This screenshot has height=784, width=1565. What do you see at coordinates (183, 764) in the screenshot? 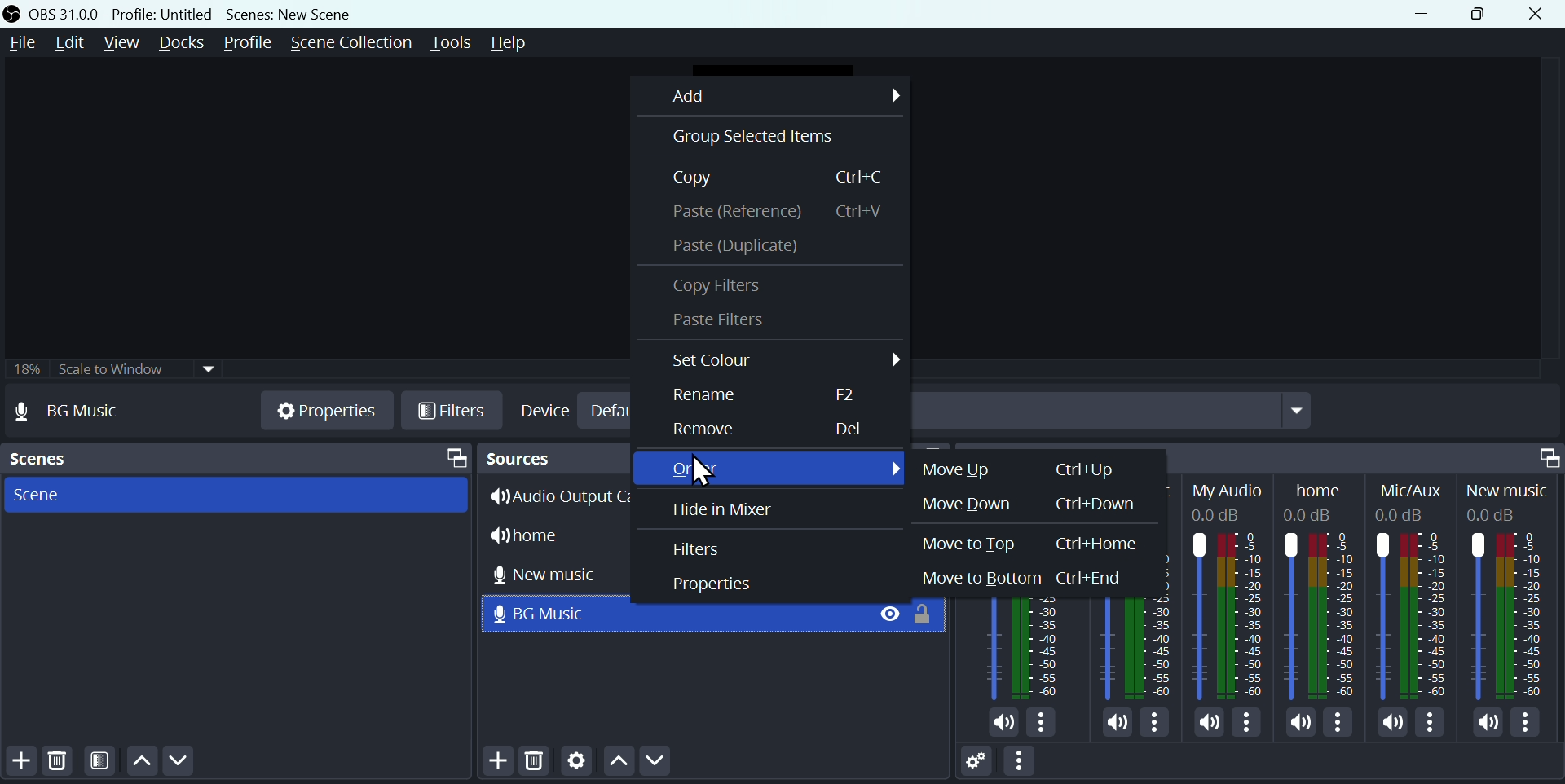
I see `Down` at bounding box center [183, 764].